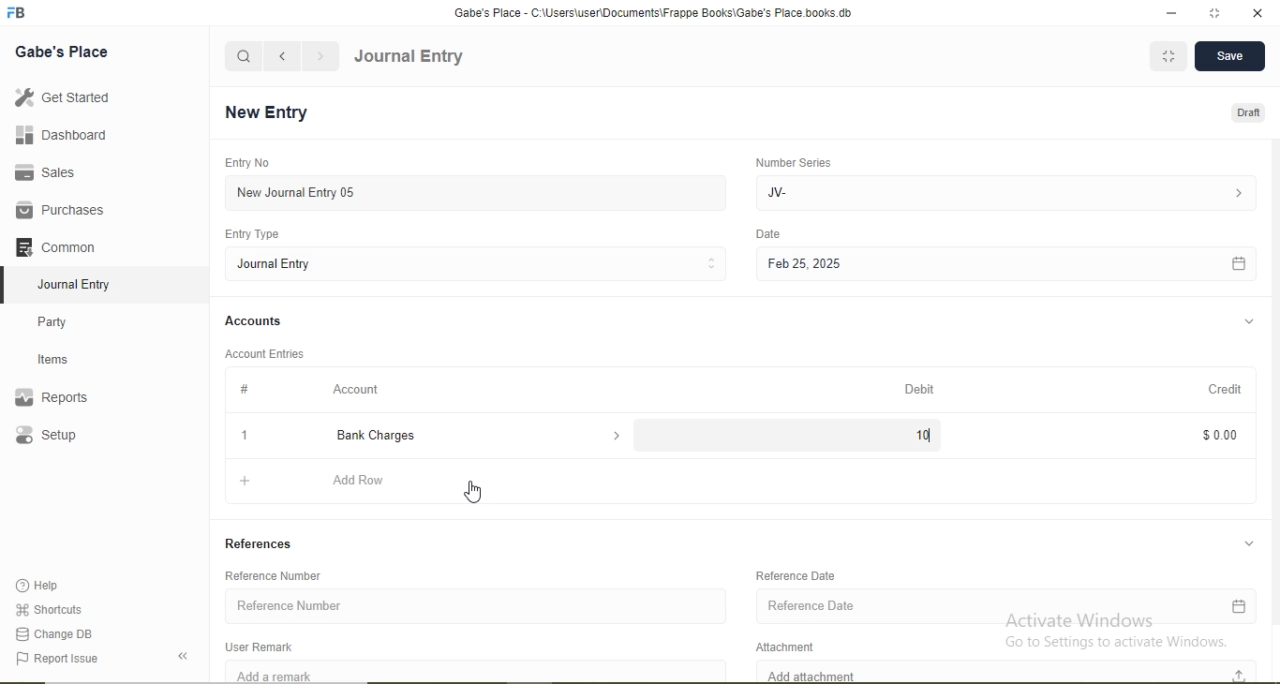 The image size is (1280, 684). Describe the element at coordinates (792, 644) in the screenshot. I see `Attachment` at that location.